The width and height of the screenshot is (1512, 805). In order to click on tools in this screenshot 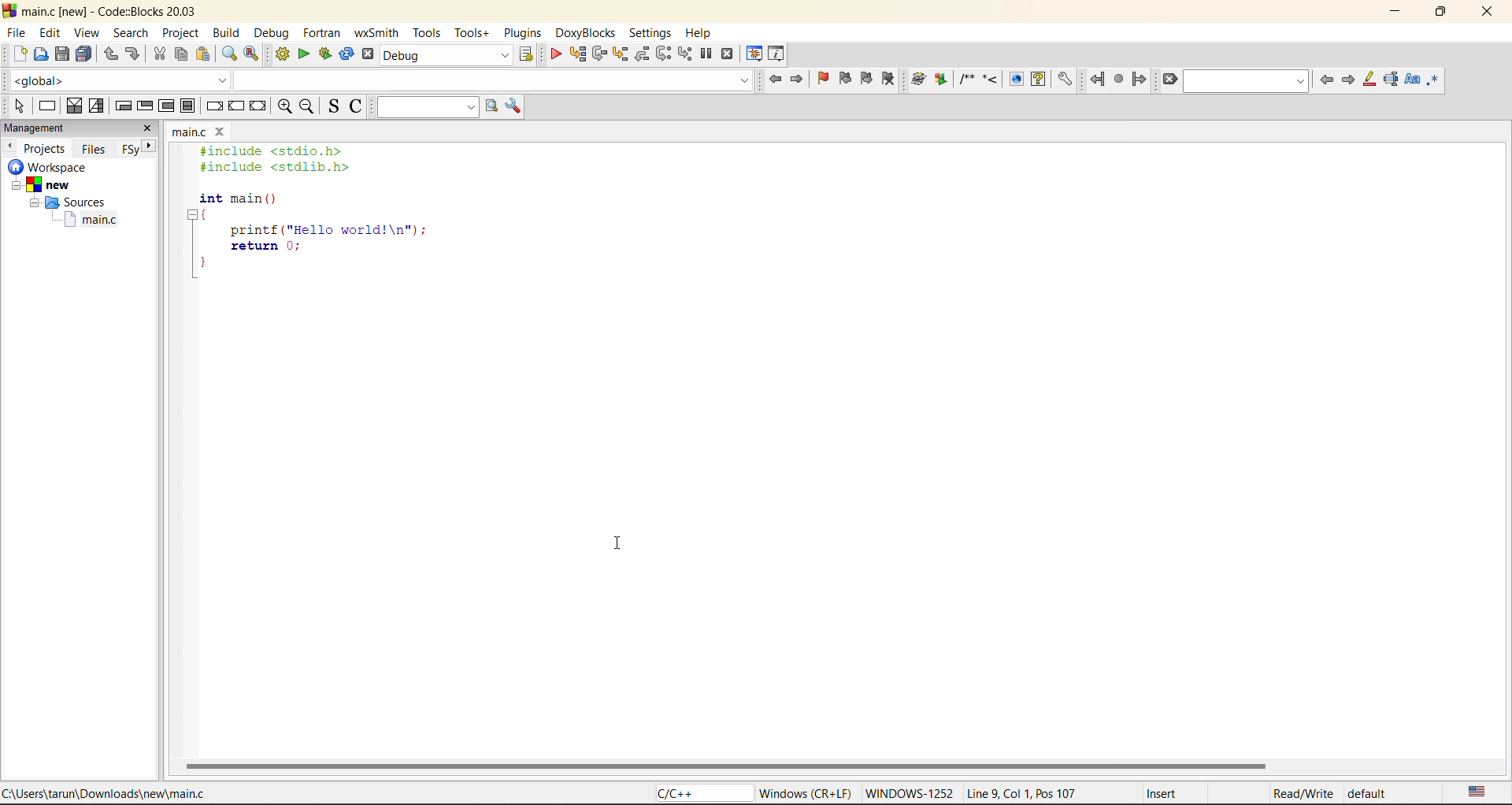, I will do `click(429, 33)`.